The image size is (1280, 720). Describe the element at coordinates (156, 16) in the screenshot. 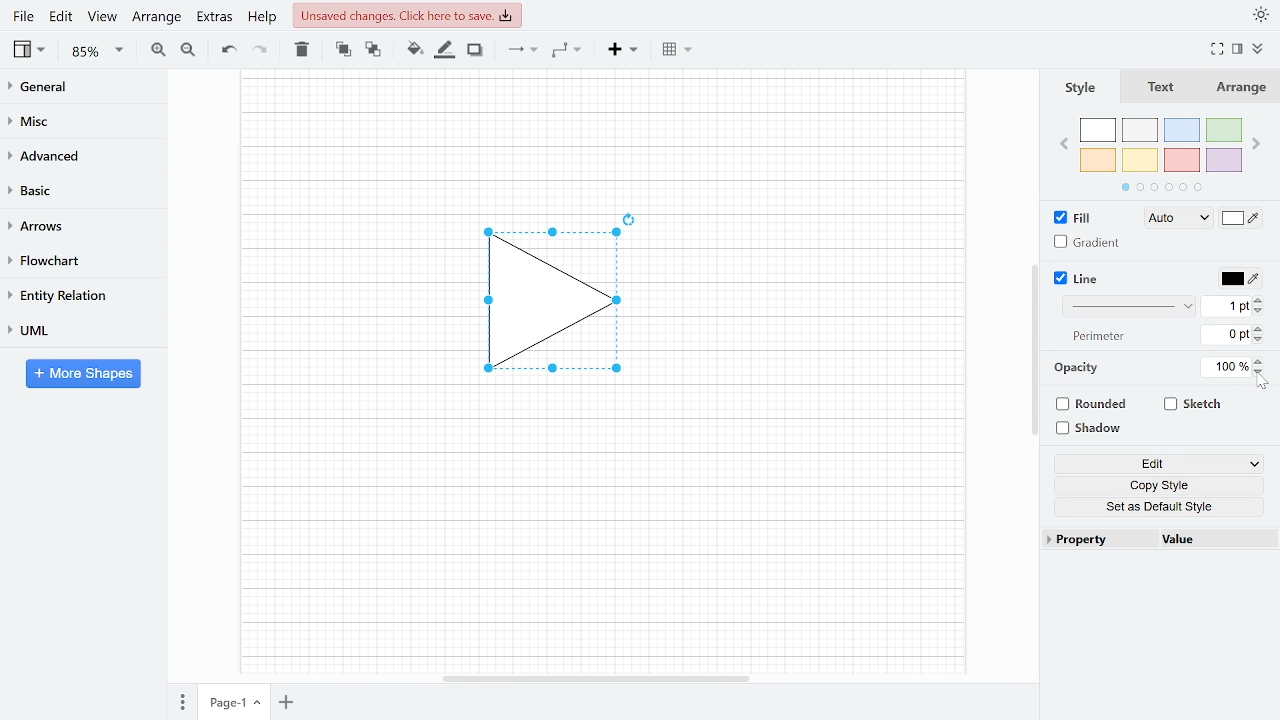

I see `Arrange` at that location.